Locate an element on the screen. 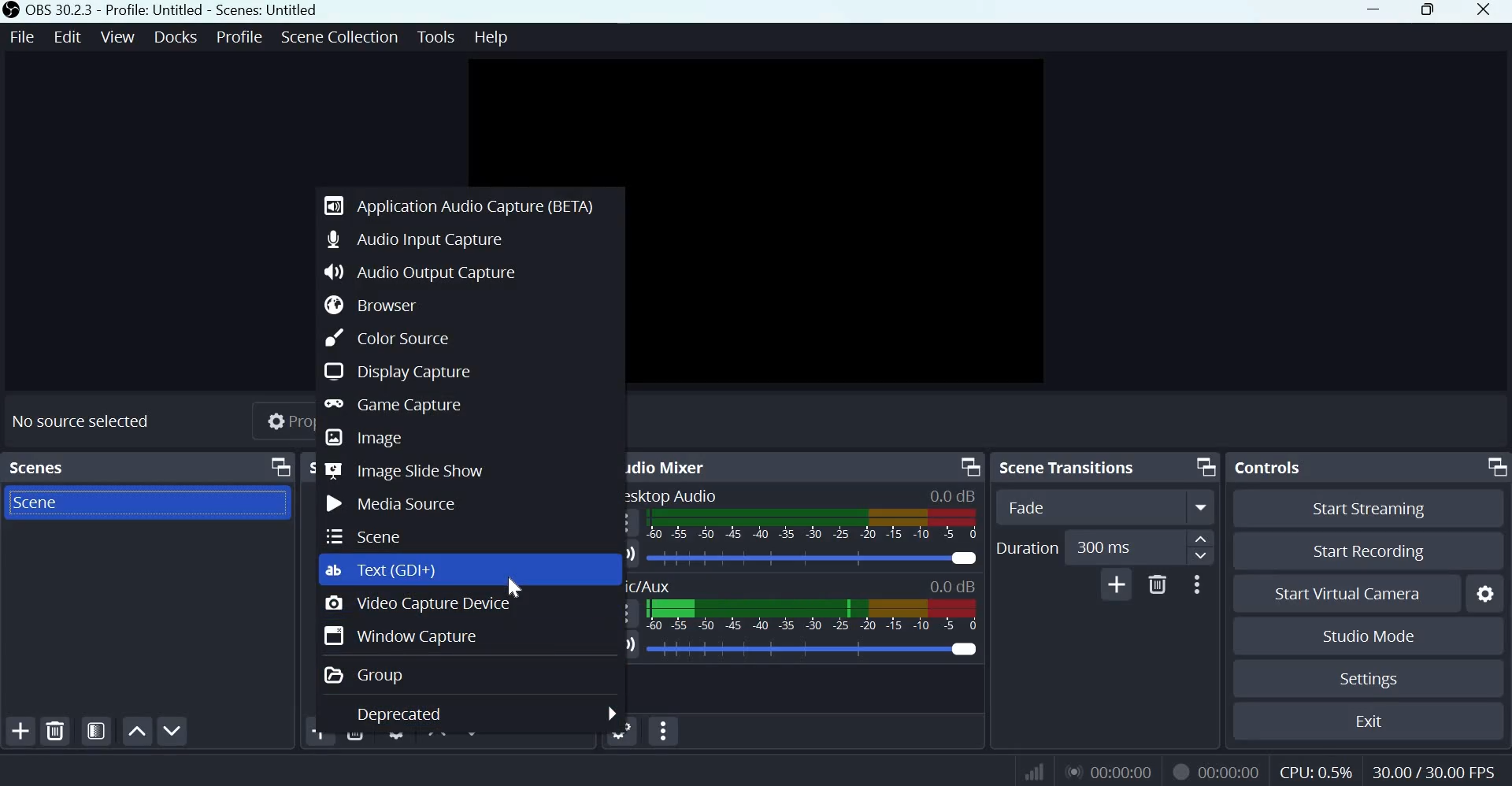  Docks is located at coordinates (176, 37).